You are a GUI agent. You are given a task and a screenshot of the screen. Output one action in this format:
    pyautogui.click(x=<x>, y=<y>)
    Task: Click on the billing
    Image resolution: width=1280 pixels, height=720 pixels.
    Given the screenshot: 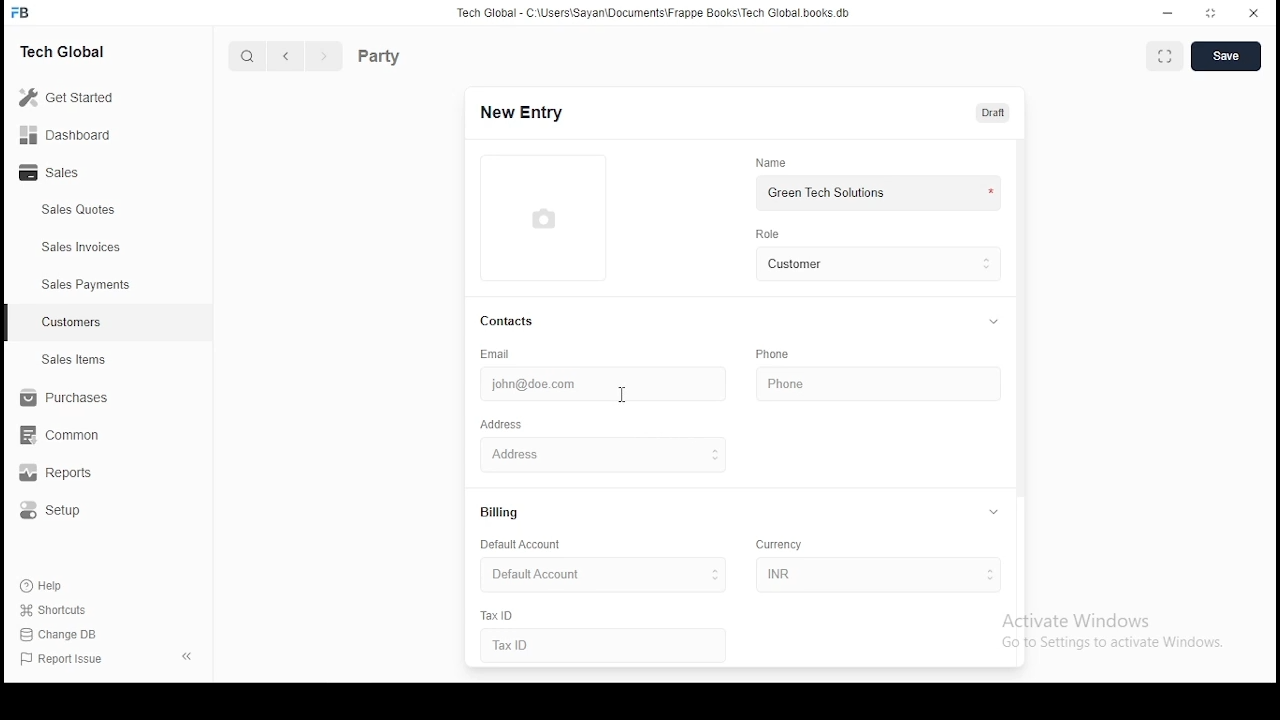 What is the action you would take?
    pyautogui.click(x=501, y=514)
    